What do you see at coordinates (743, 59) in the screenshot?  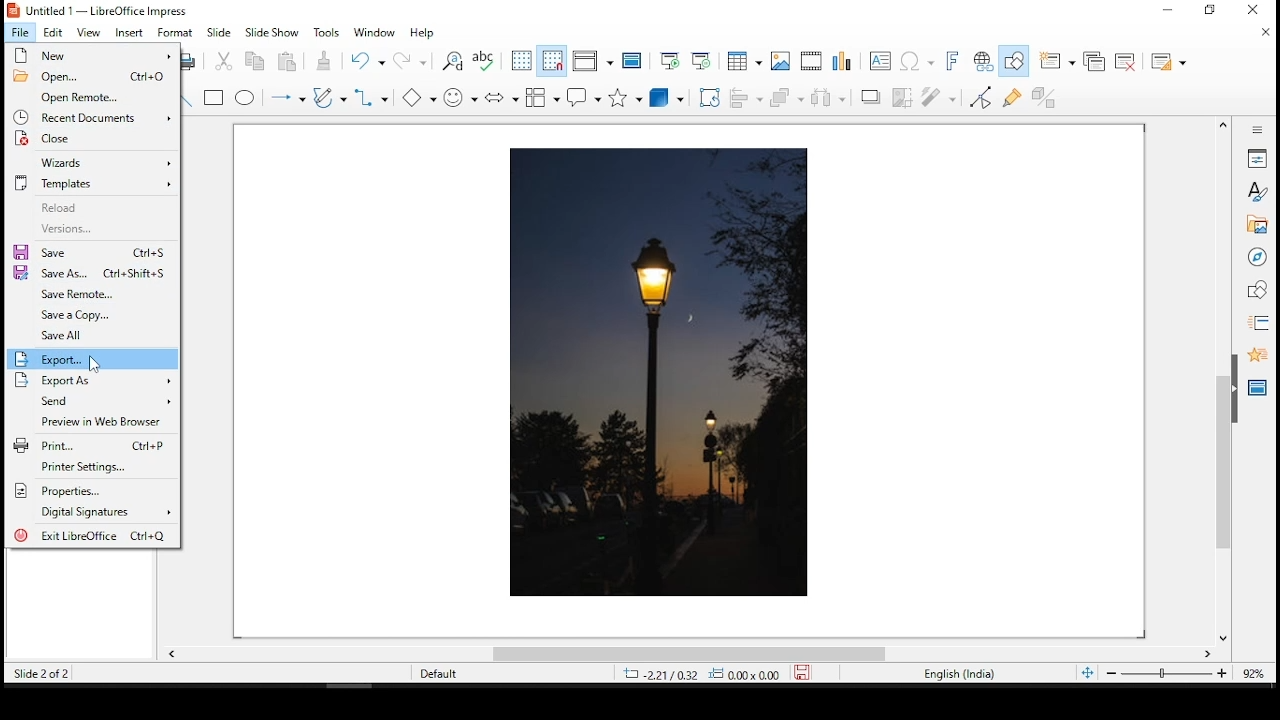 I see `tables` at bounding box center [743, 59].